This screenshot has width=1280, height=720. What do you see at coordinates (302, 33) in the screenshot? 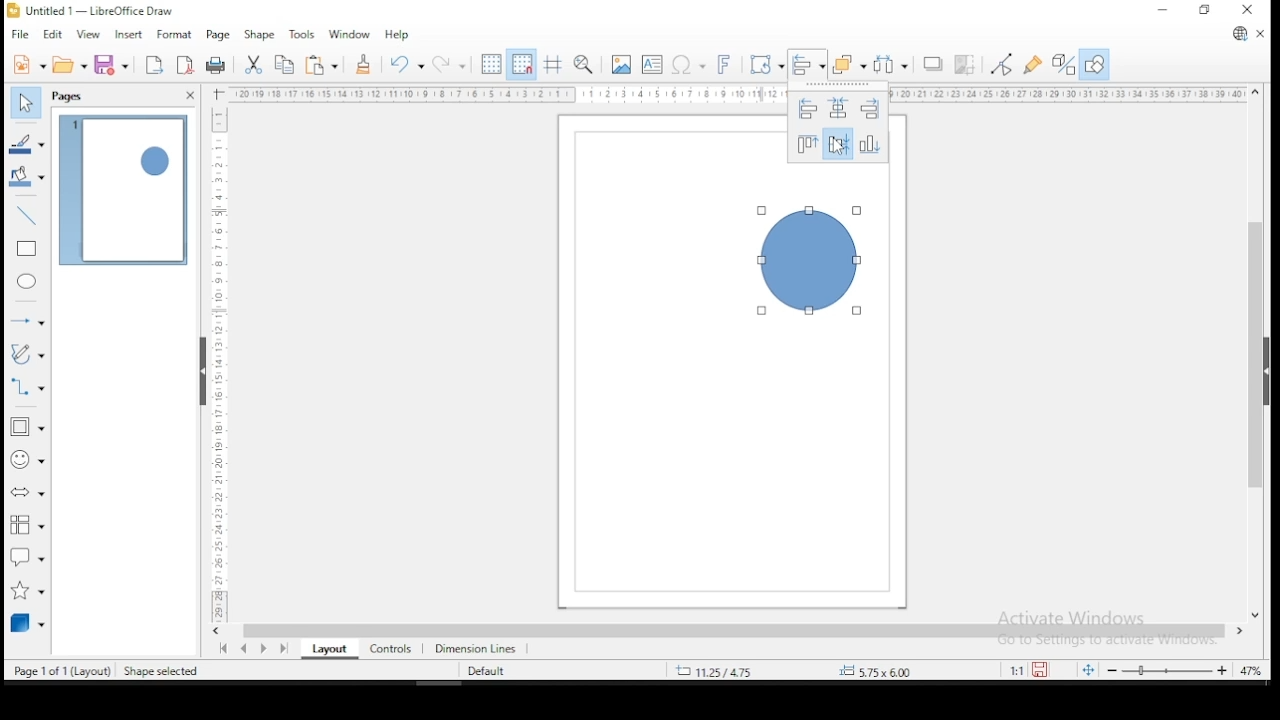
I see `tools` at bounding box center [302, 33].